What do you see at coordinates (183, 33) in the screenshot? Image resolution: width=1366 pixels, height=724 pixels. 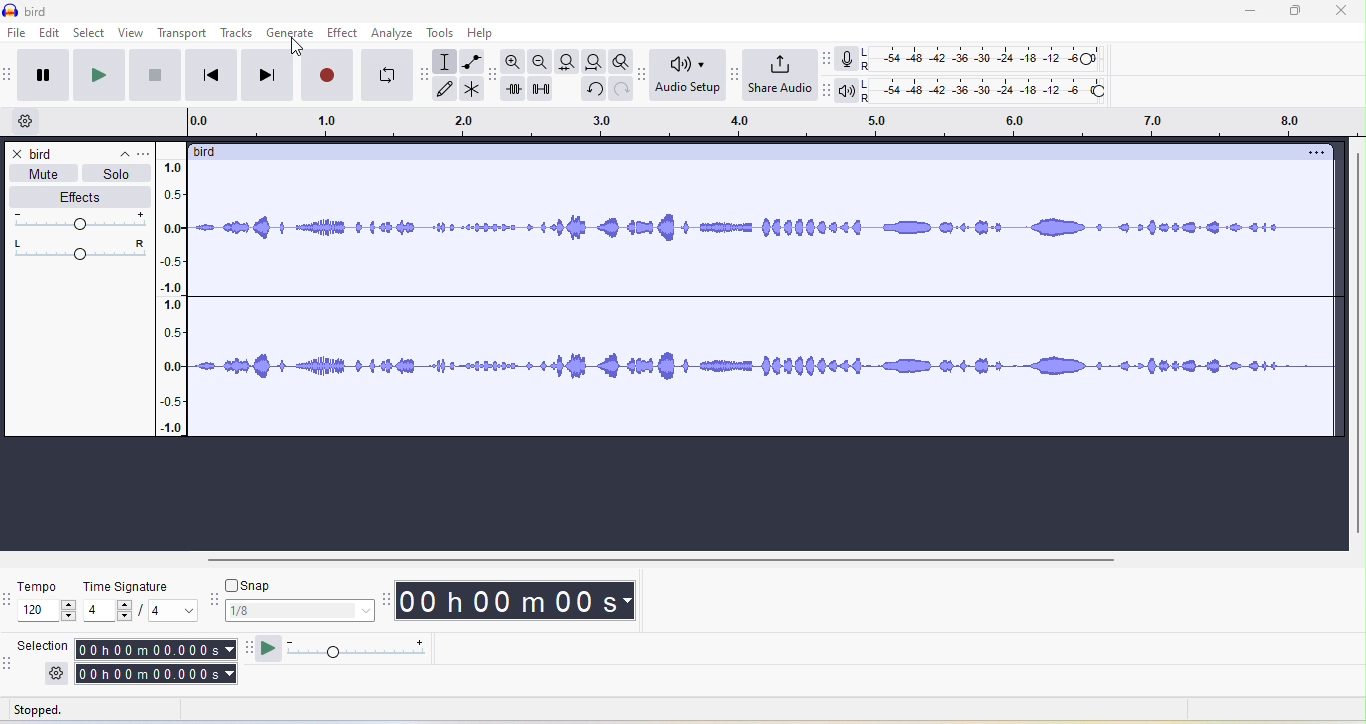 I see `transport` at bounding box center [183, 33].